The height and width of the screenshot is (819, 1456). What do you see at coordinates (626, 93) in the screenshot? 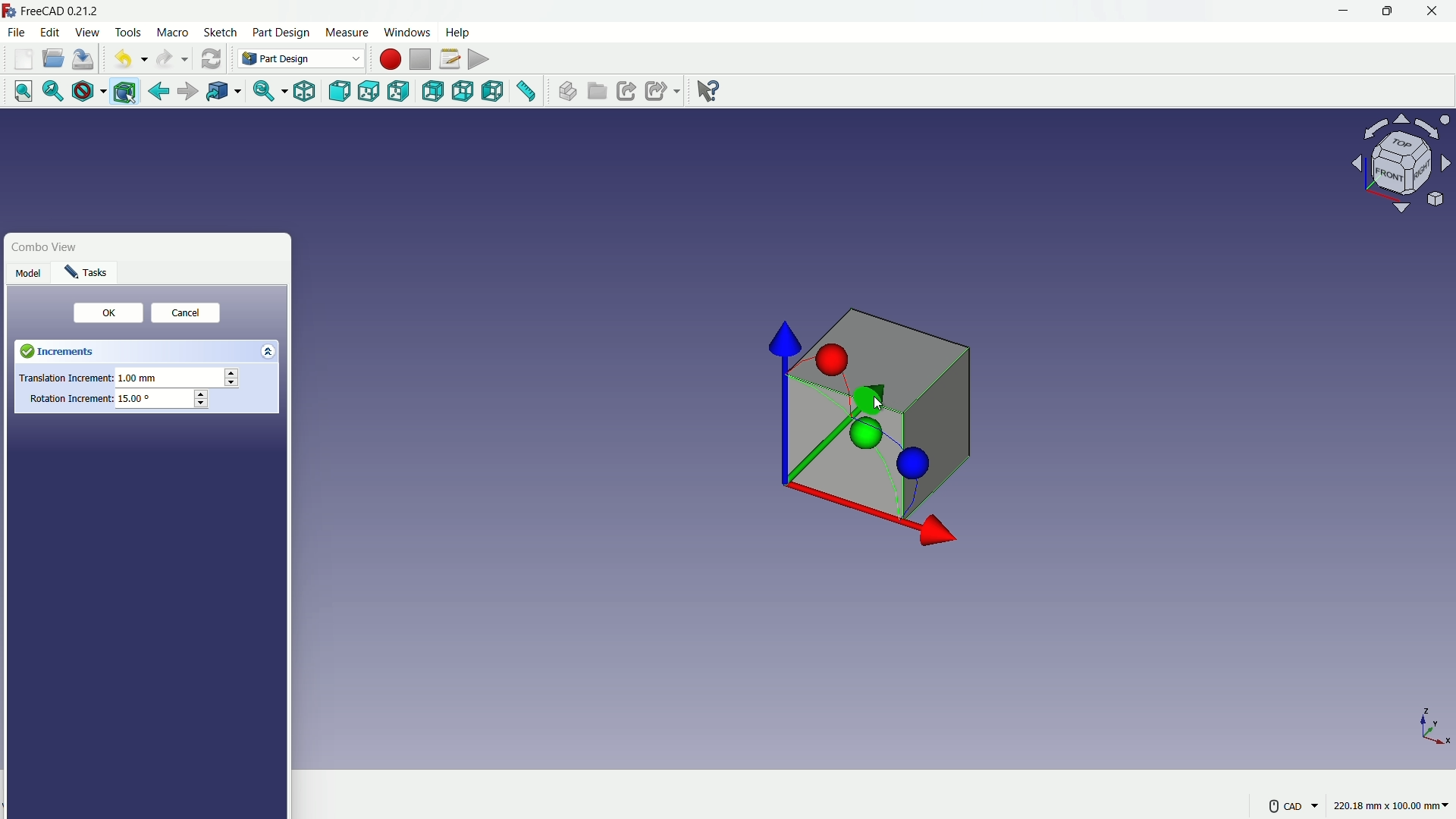
I see `make link` at bounding box center [626, 93].